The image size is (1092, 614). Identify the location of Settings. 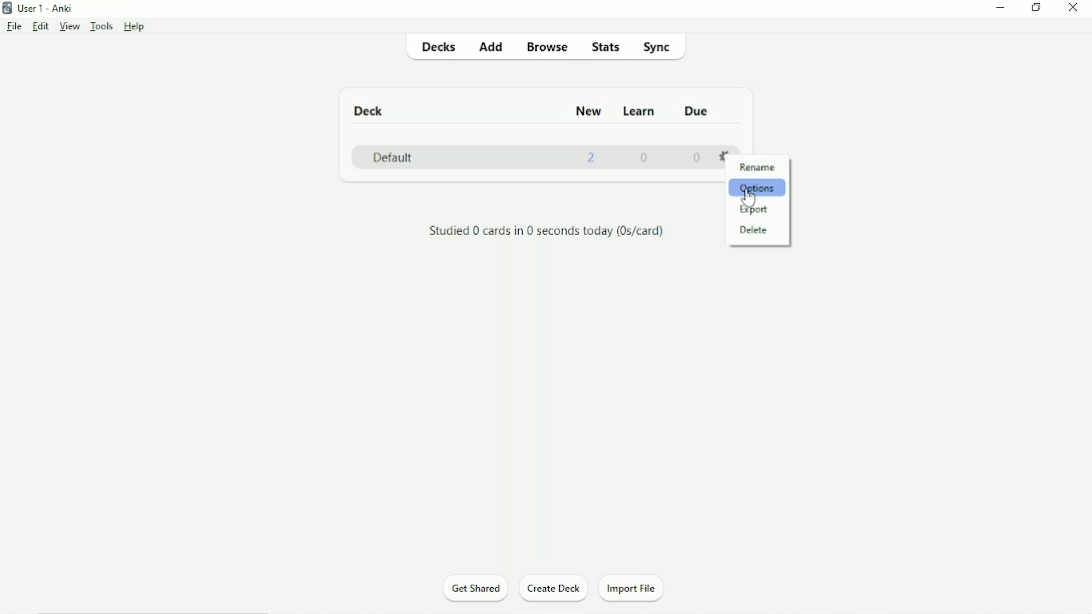
(727, 156).